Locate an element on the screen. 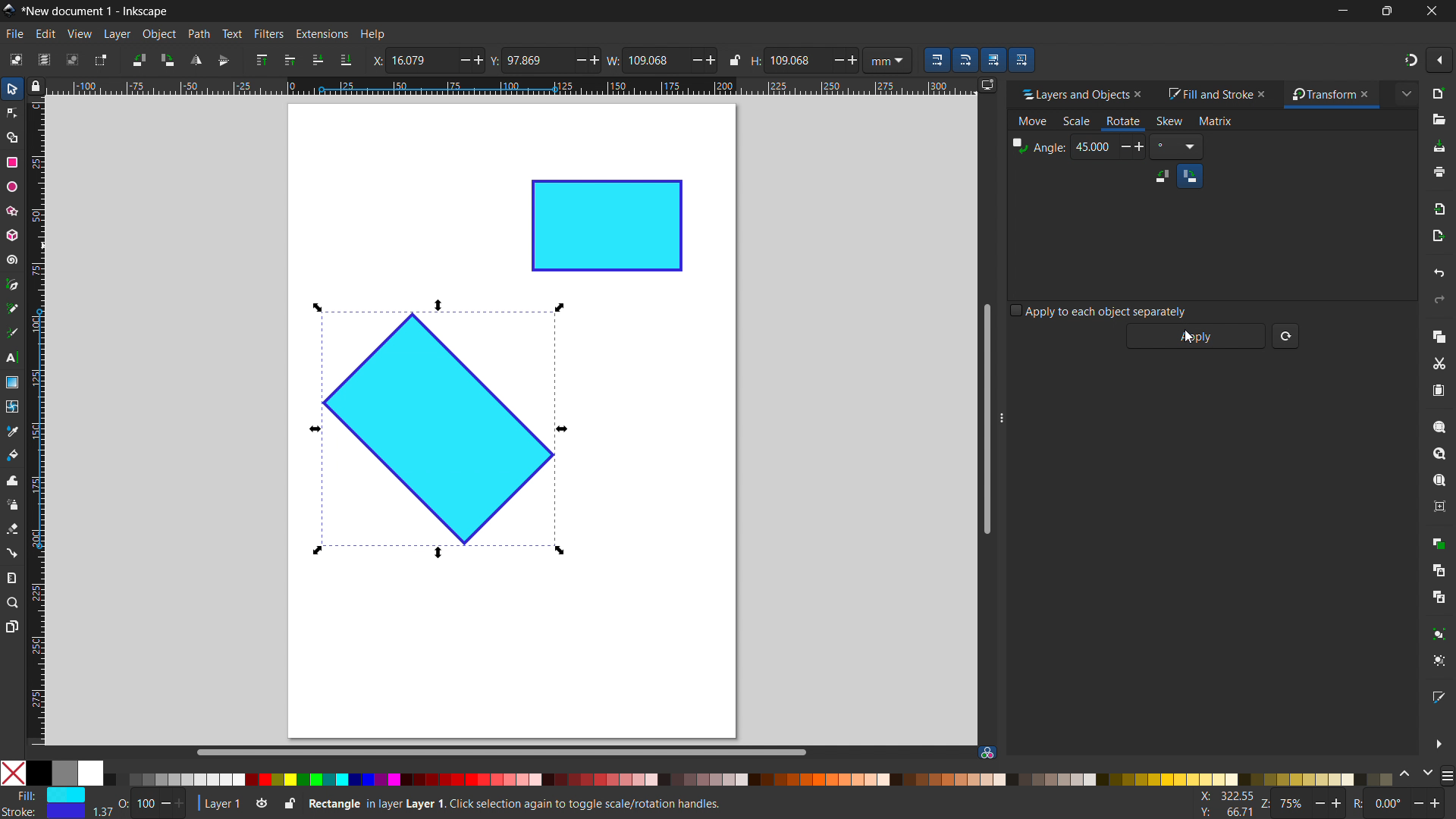 The image size is (1456, 819). help is located at coordinates (372, 35).